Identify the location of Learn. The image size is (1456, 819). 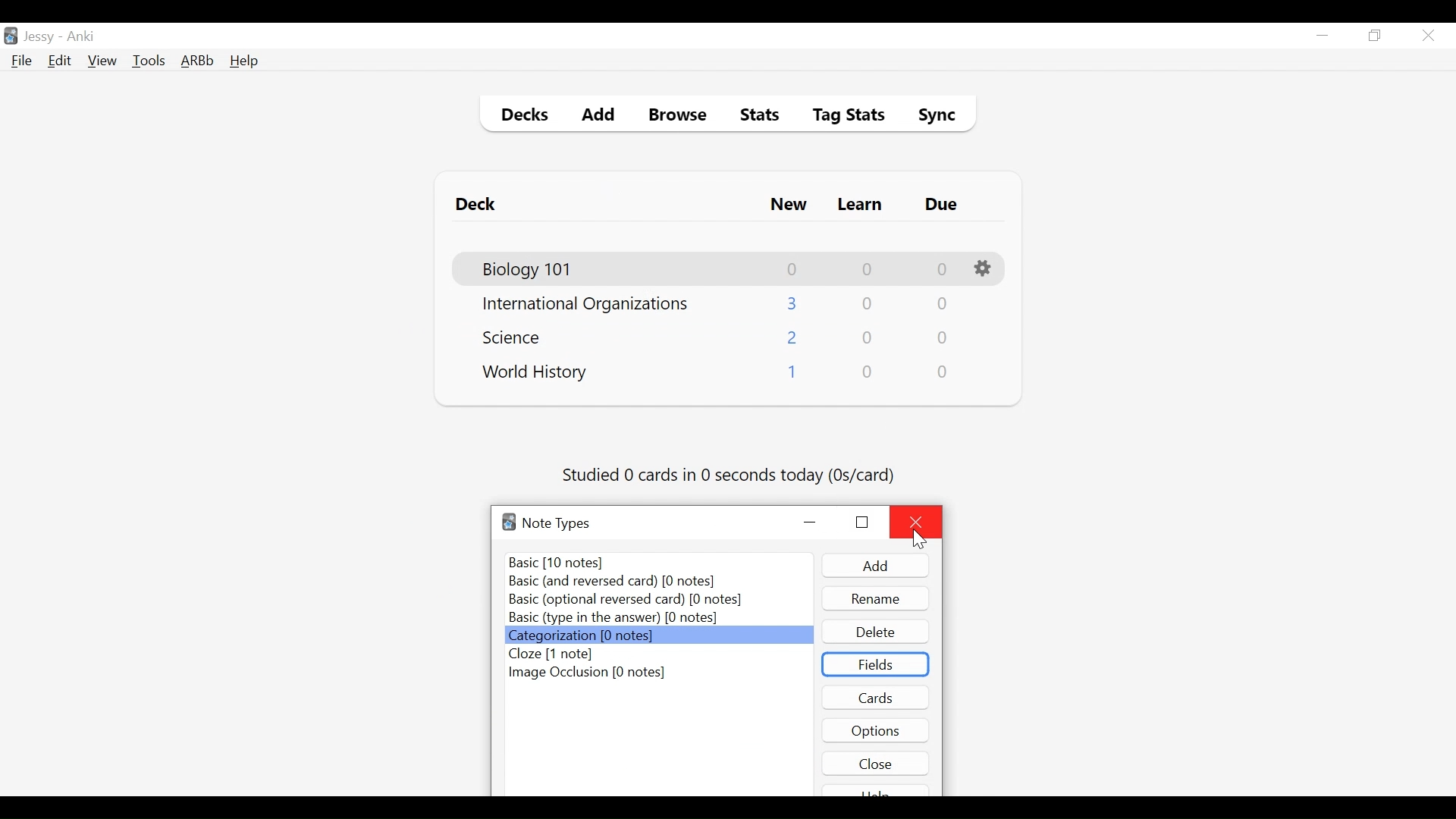
(859, 206).